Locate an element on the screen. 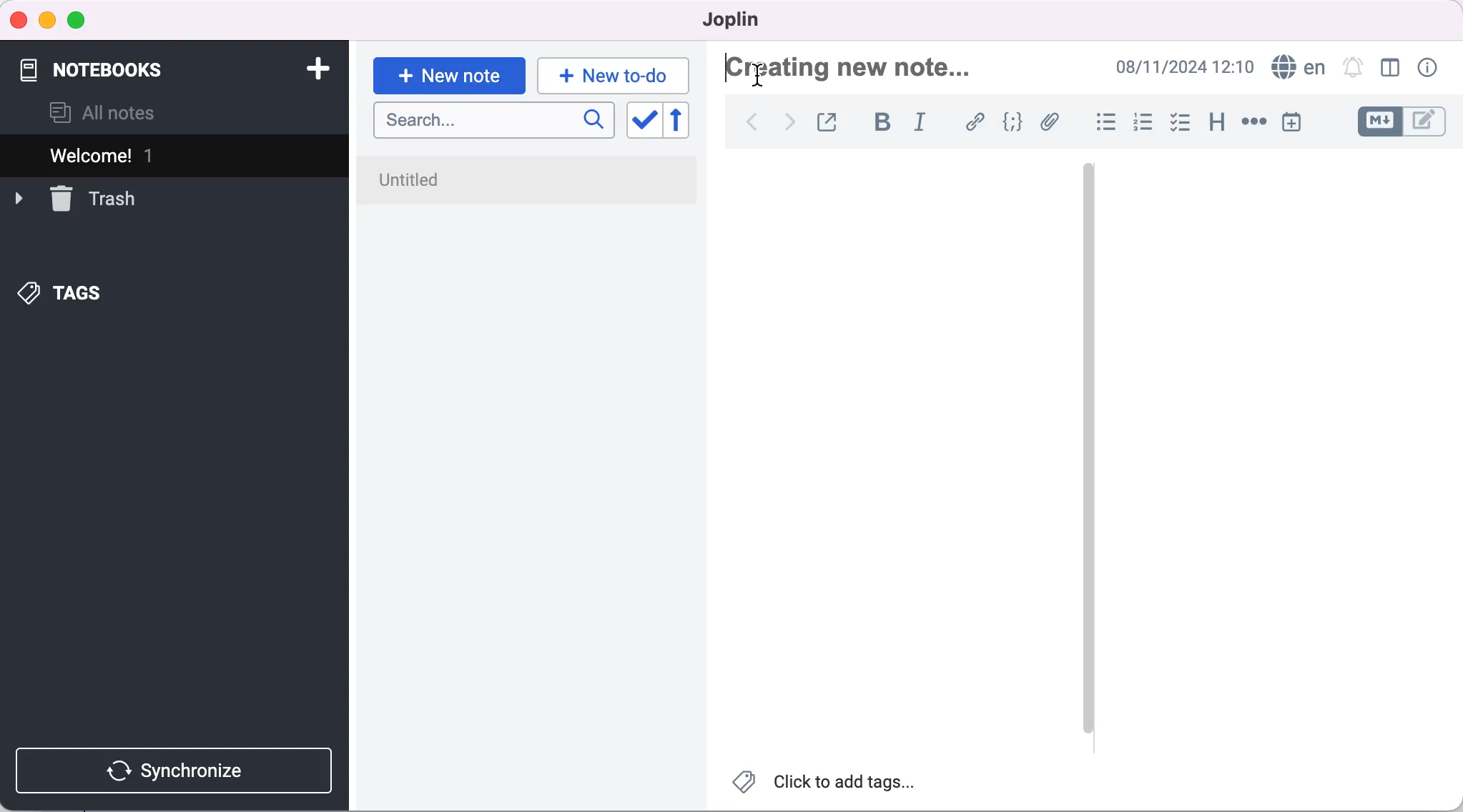 This screenshot has height=812, width=1463. toggle external editing is located at coordinates (827, 124).